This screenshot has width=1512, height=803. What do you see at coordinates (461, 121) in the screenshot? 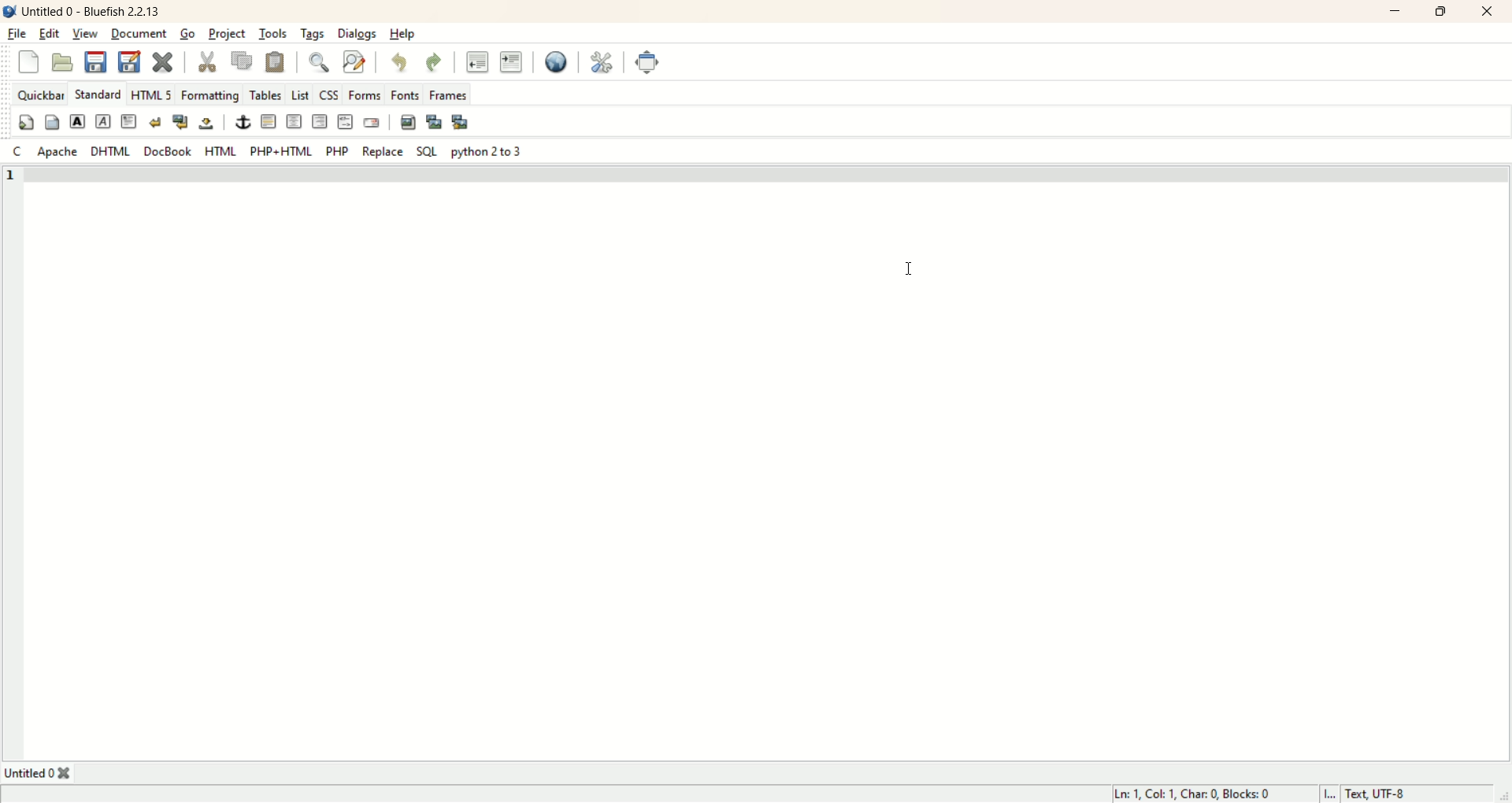
I see `multi thumbnail` at bounding box center [461, 121].